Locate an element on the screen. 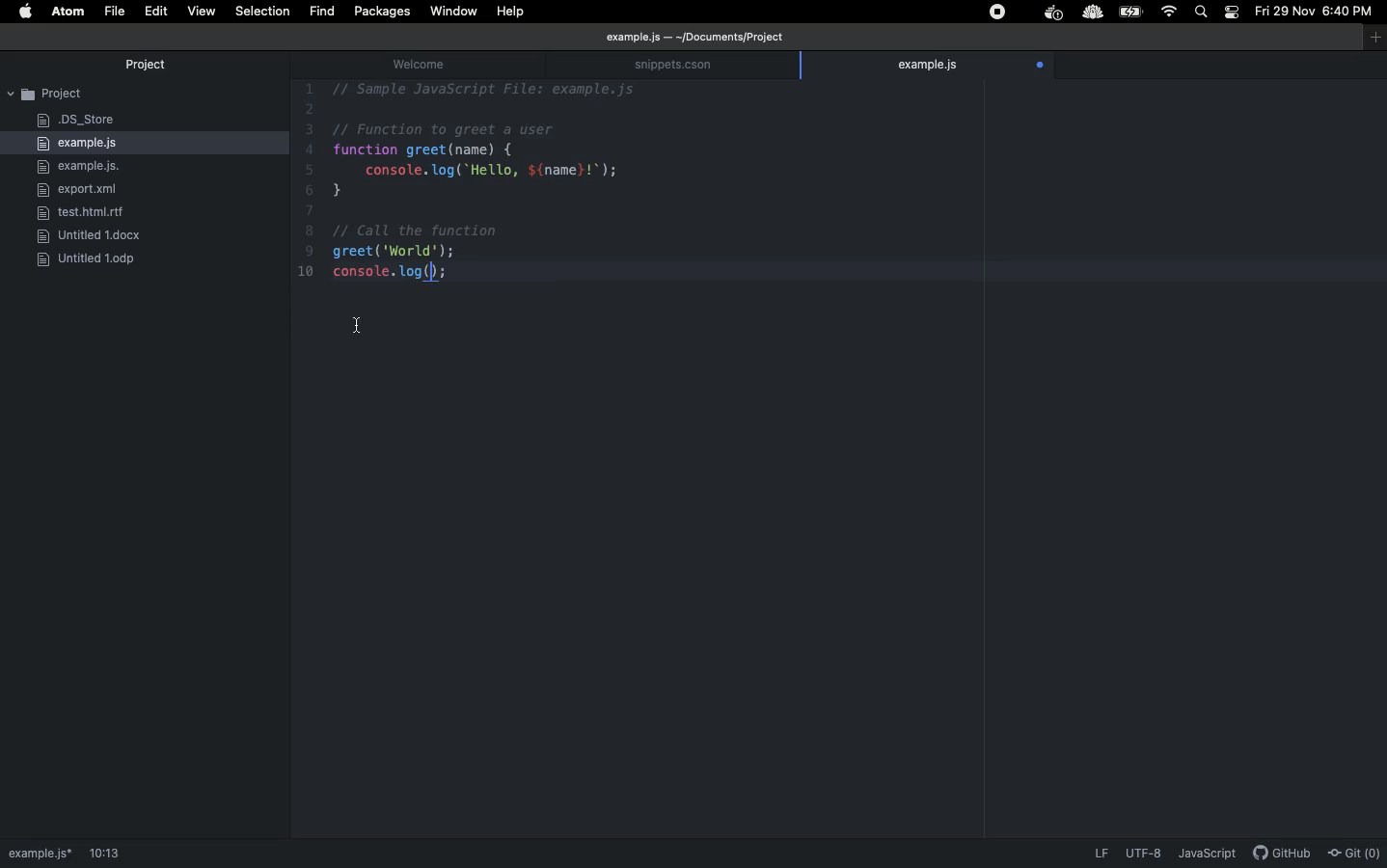 This screenshot has width=1387, height=868. snippets.cson is located at coordinates (691, 66).